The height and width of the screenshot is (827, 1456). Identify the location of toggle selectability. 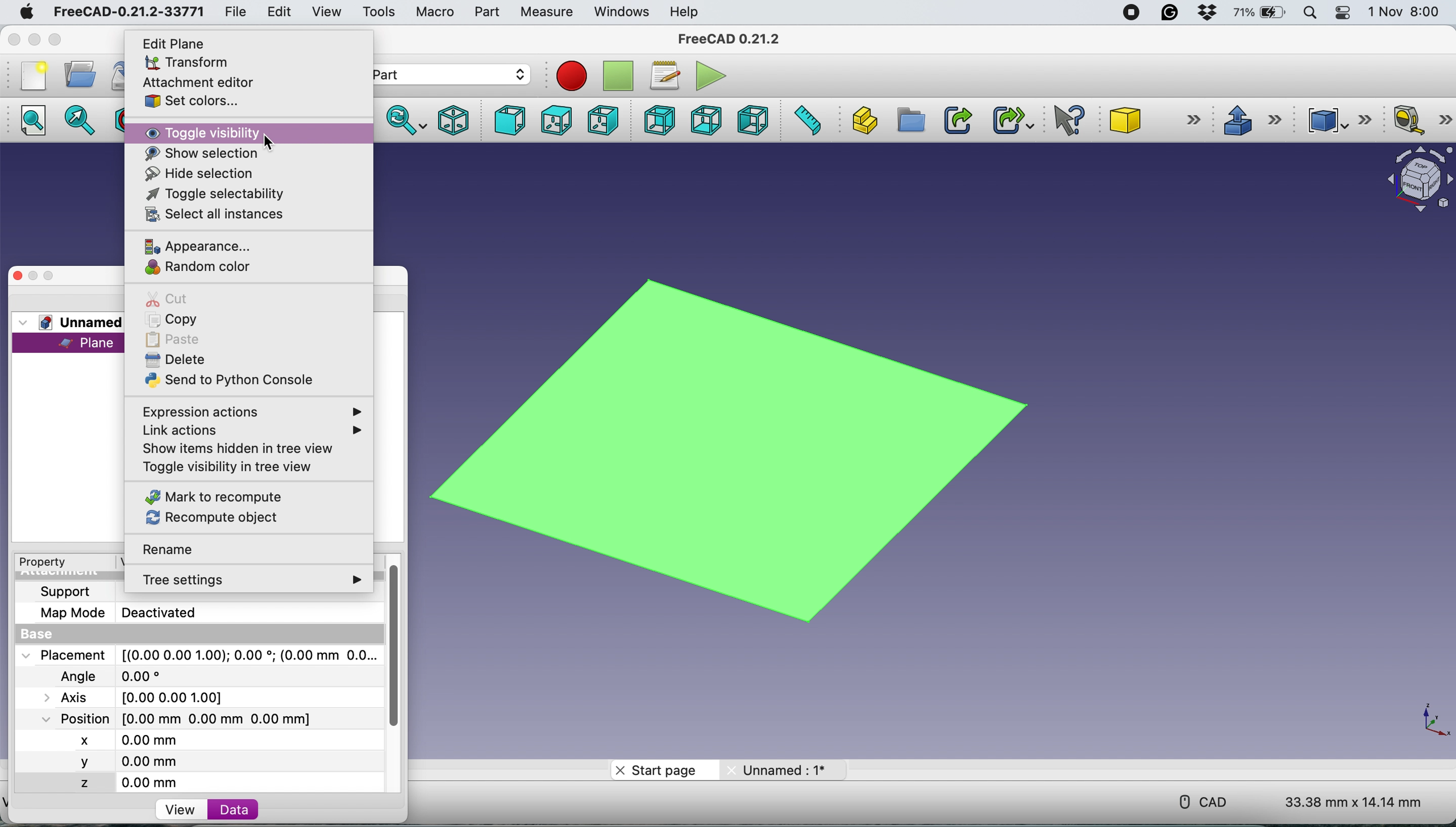
(215, 195).